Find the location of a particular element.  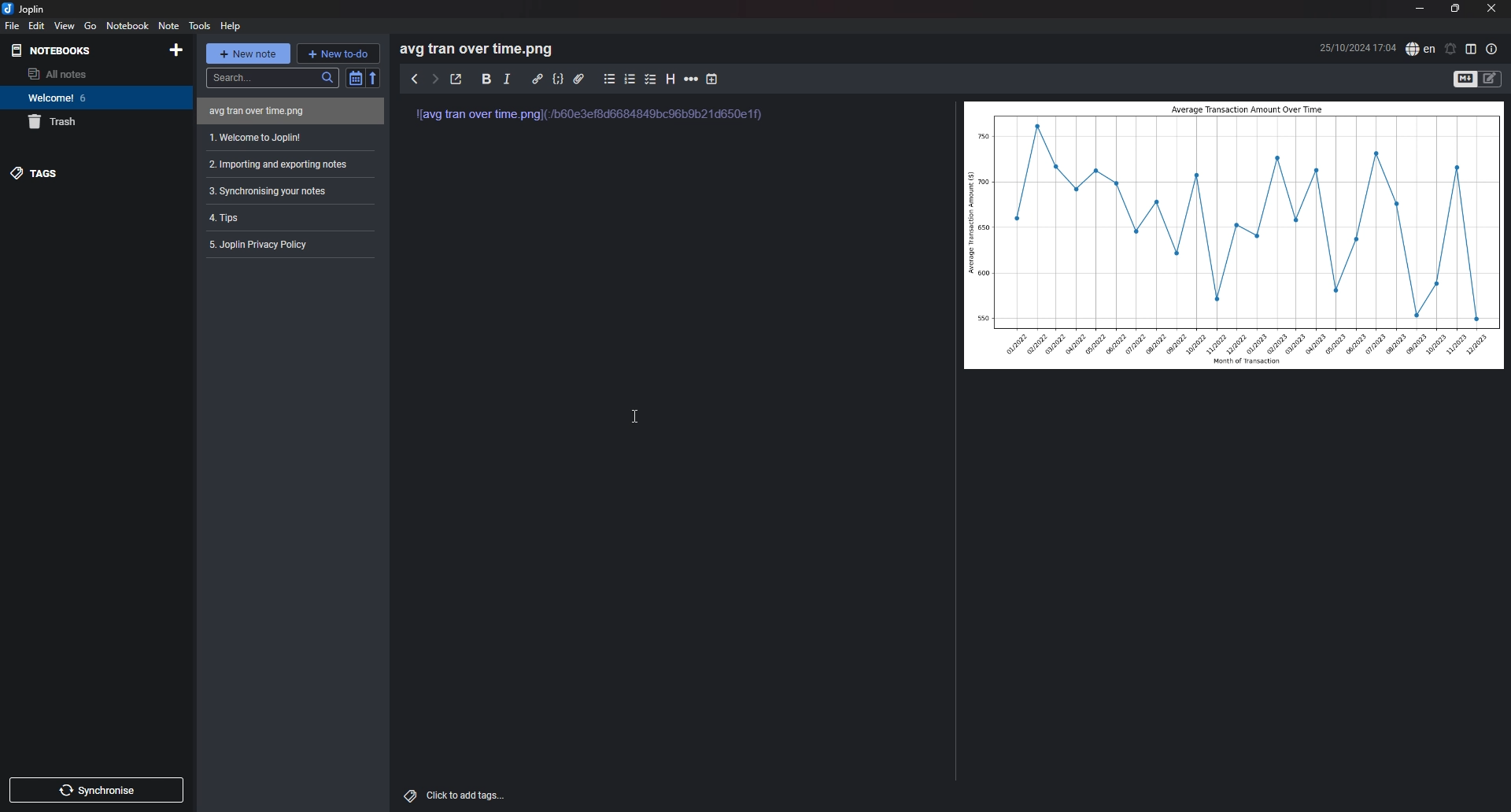

2. Importing and Exporting notes is located at coordinates (289, 164).